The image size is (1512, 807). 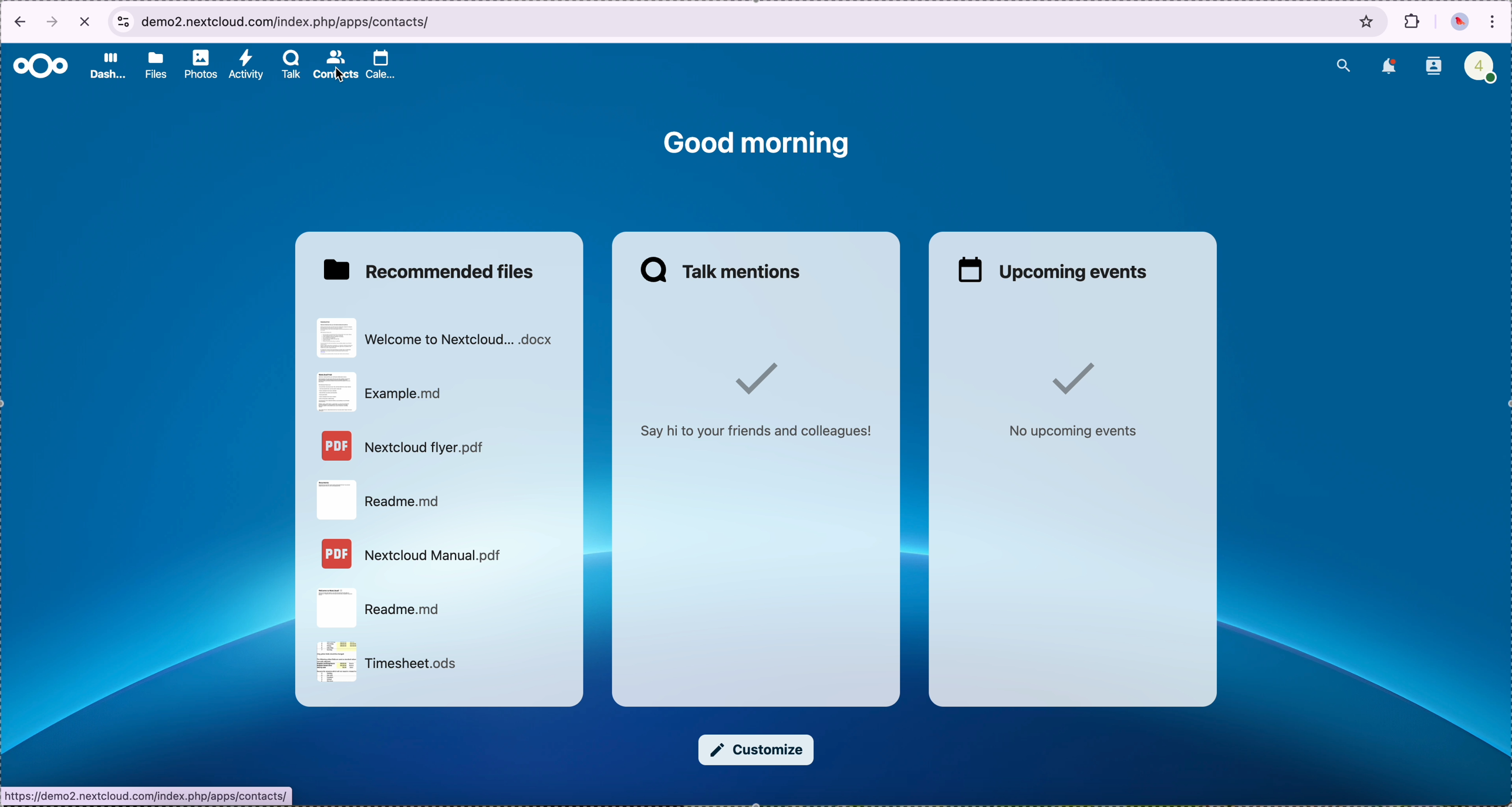 I want to click on controls, so click(x=122, y=19).